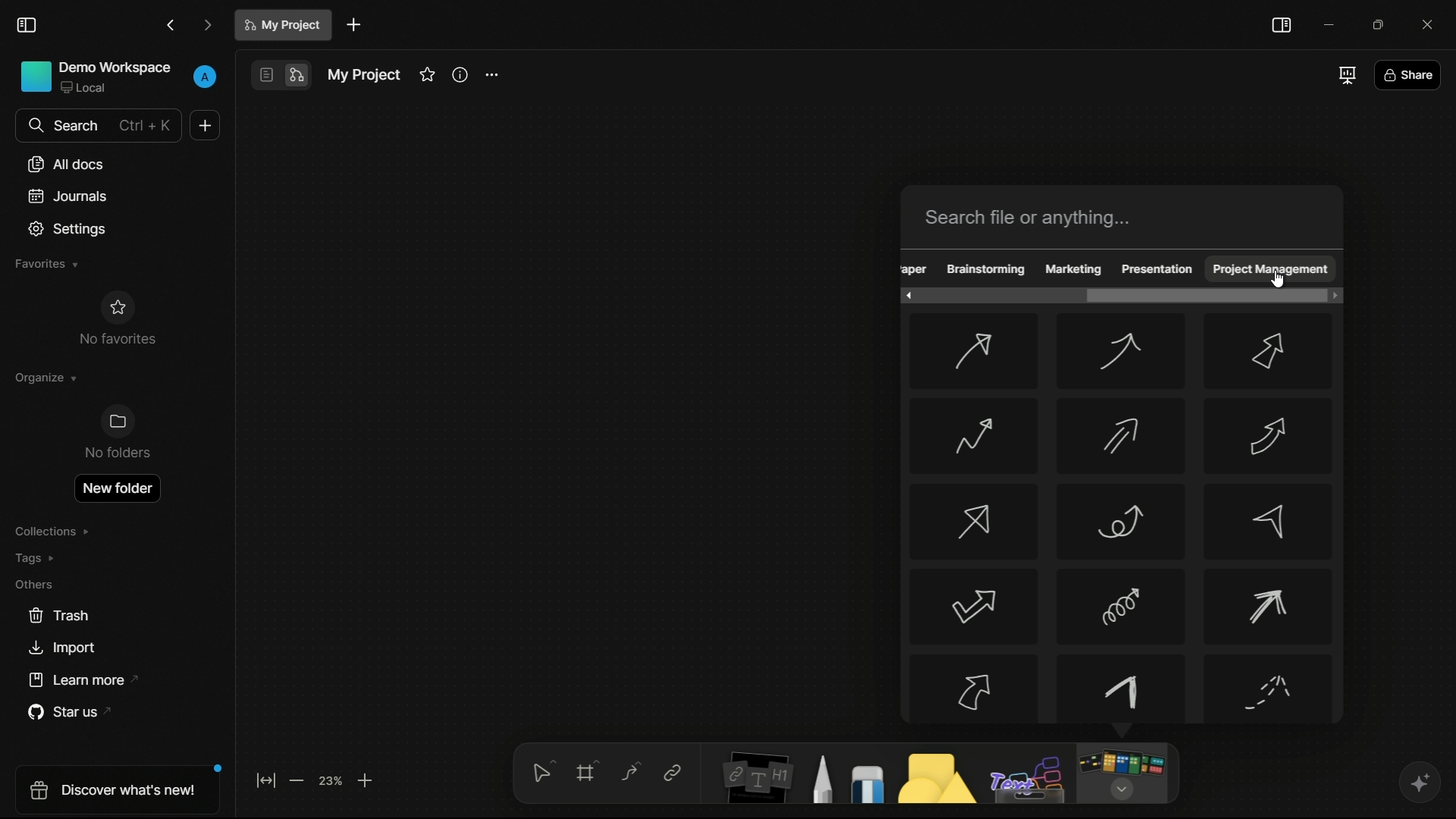 Image resolution: width=1456 pixels, height=819 pixels. What do you see at coordinates (1270, 435) in the screenshot?
I see `arrow-6` at bounding box center [1270, 435].